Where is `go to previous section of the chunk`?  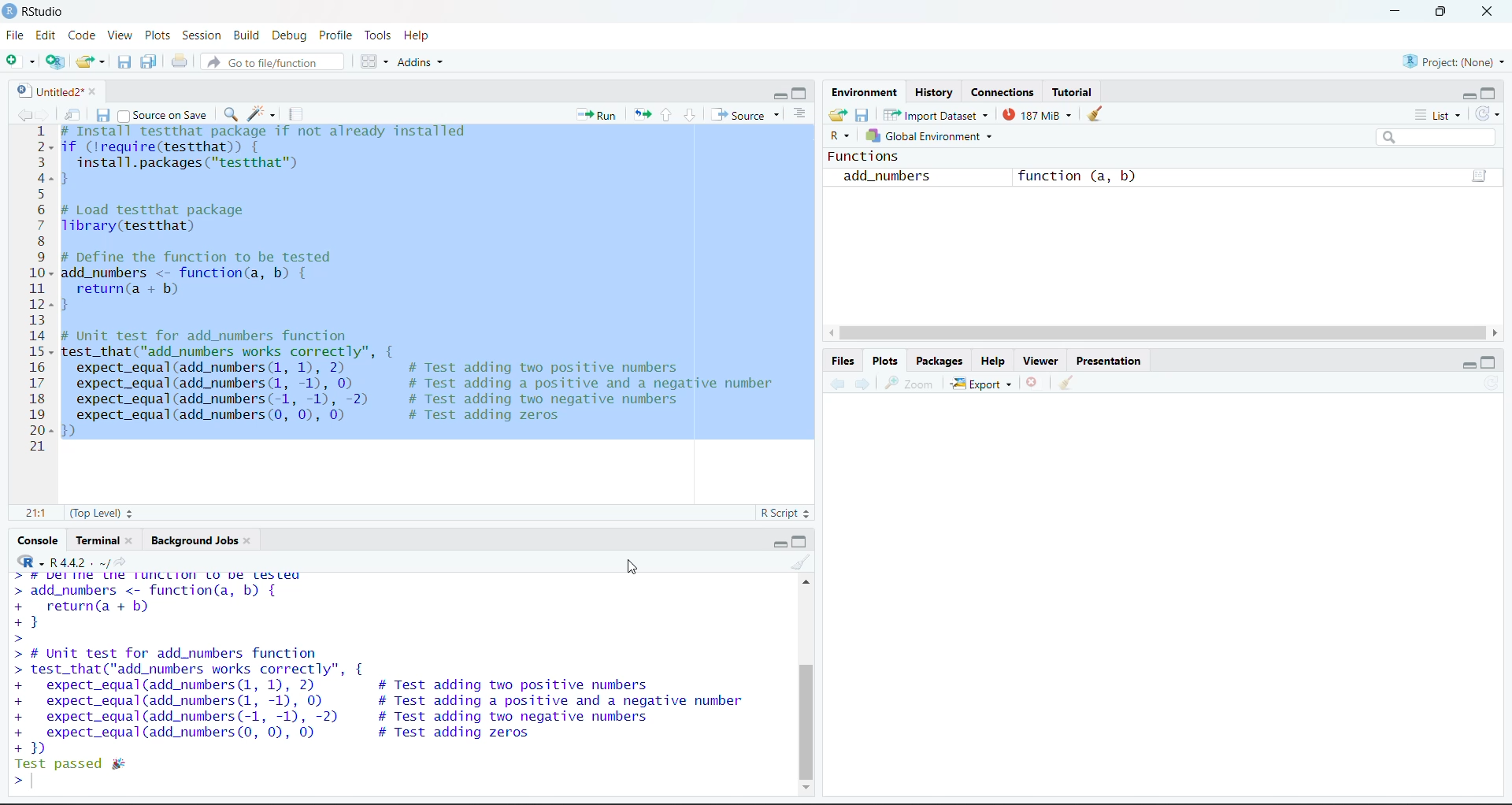
go to previous section of the chunk is located at coordinates (668, 116).